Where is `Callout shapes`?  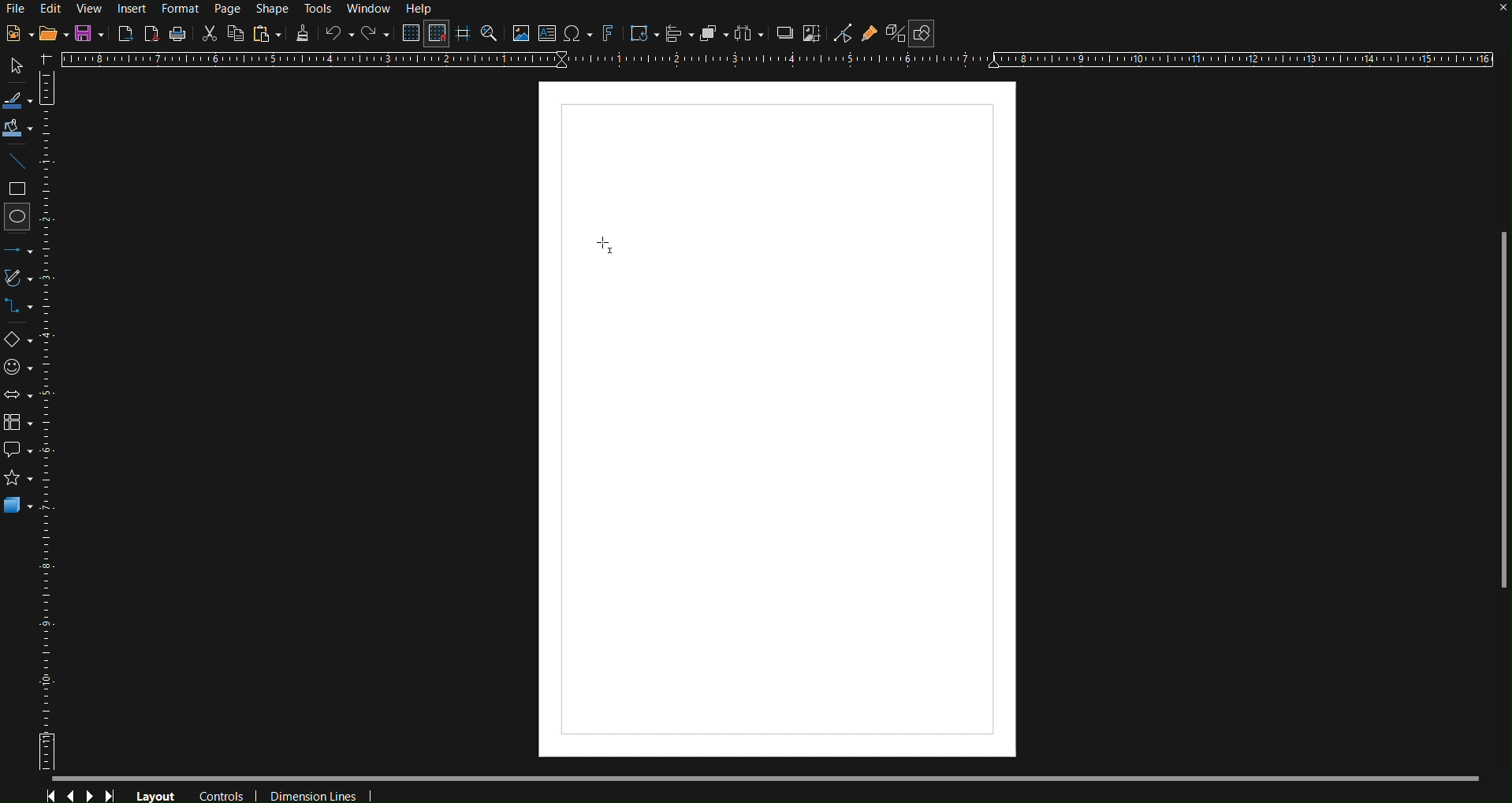 Callout shapes is located at coordinates (17, 450).